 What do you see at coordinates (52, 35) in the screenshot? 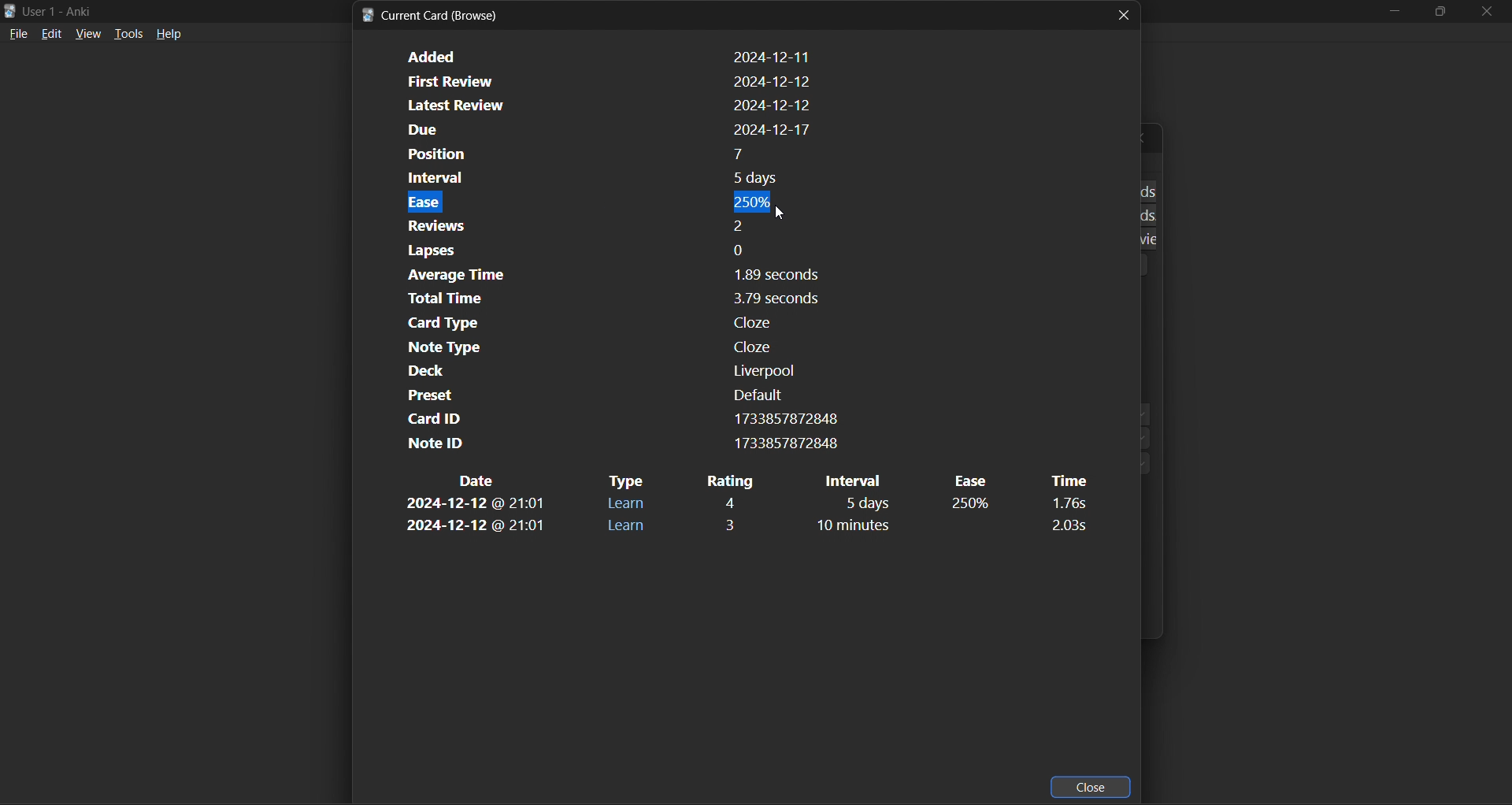
I see `edit` at bounding box center [52, 35].